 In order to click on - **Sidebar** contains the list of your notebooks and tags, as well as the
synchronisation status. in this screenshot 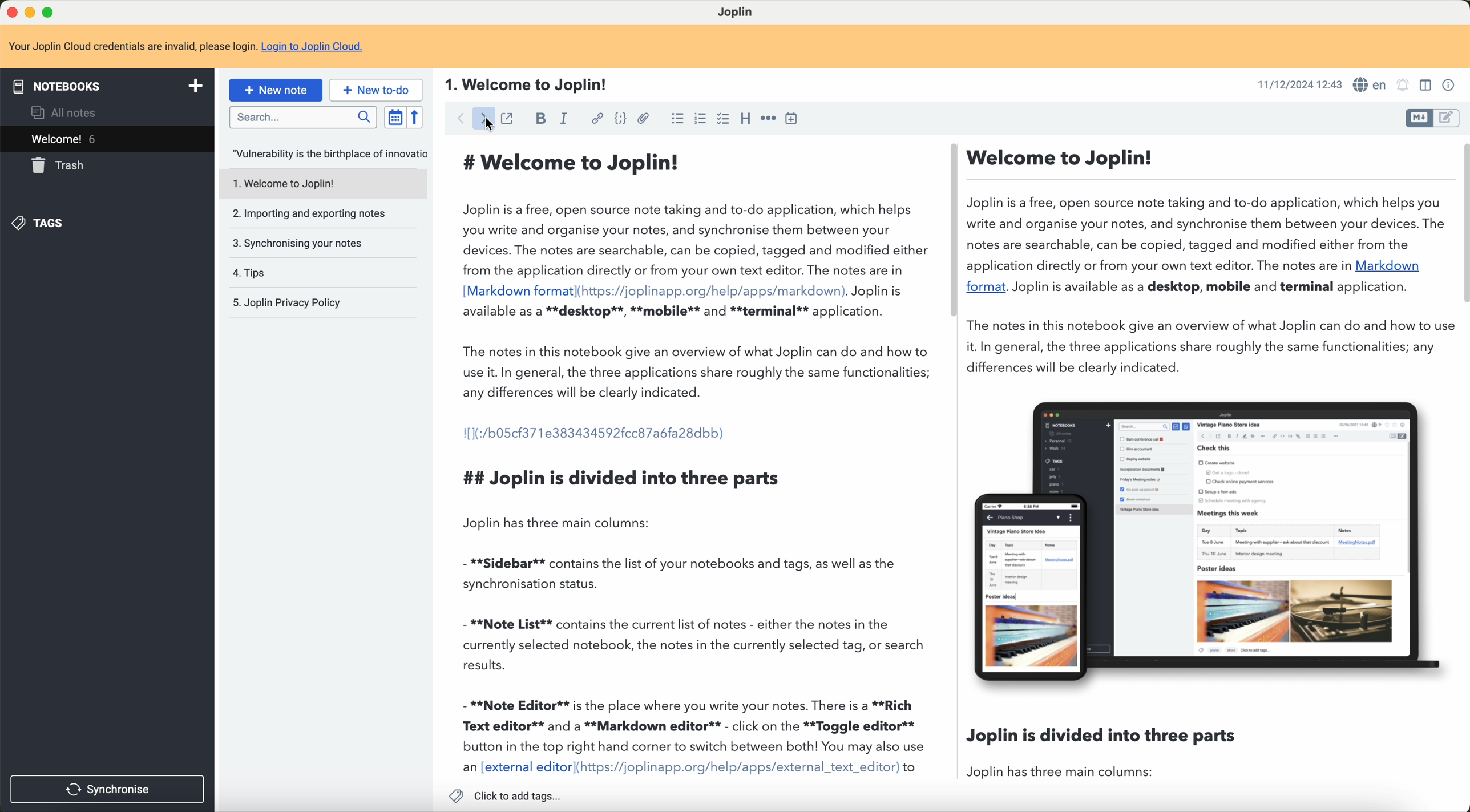, I will do `click(678, 575)`.